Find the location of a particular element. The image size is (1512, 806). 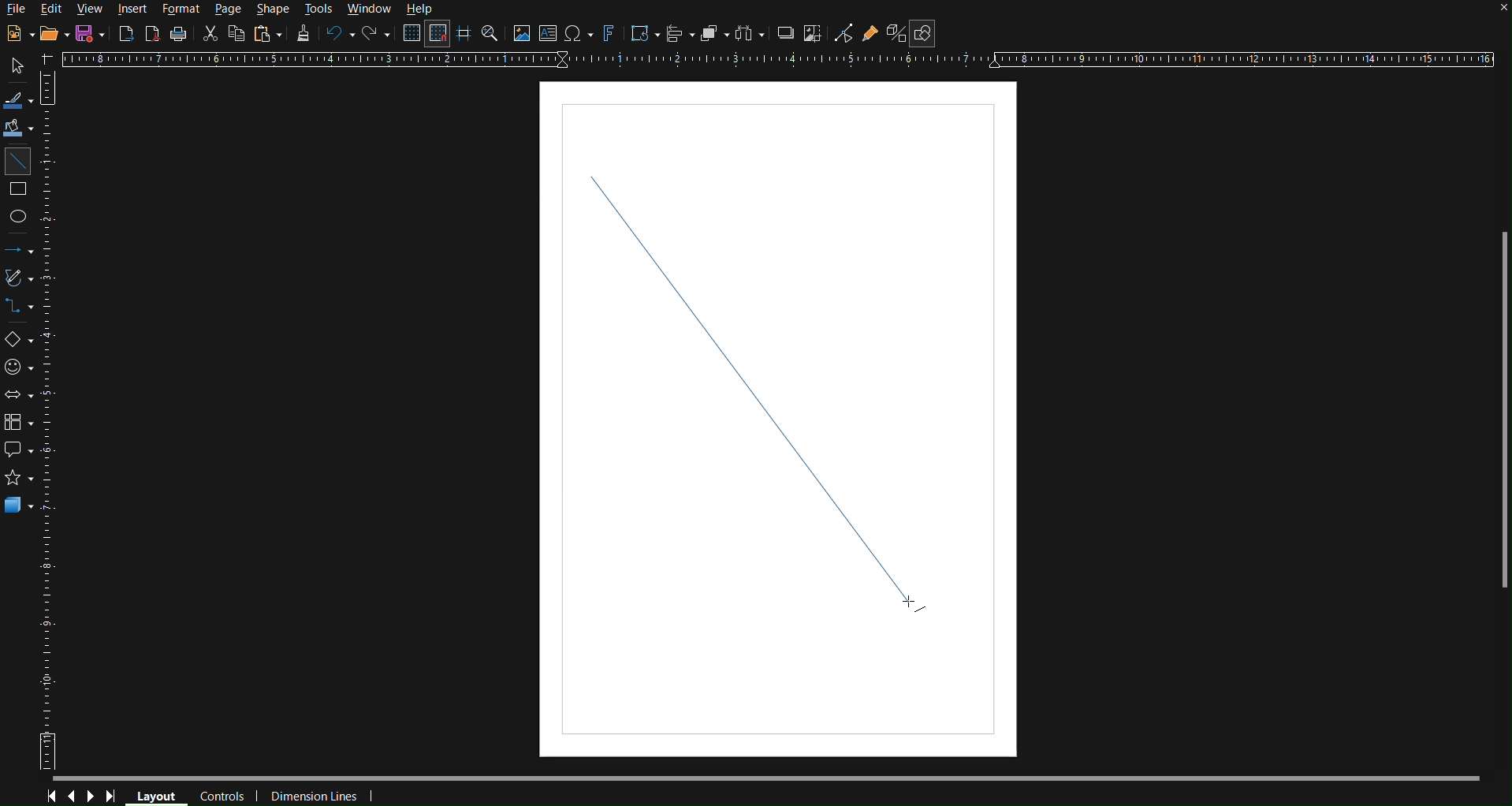

Scrollbar is located at coordinates (766, 778).